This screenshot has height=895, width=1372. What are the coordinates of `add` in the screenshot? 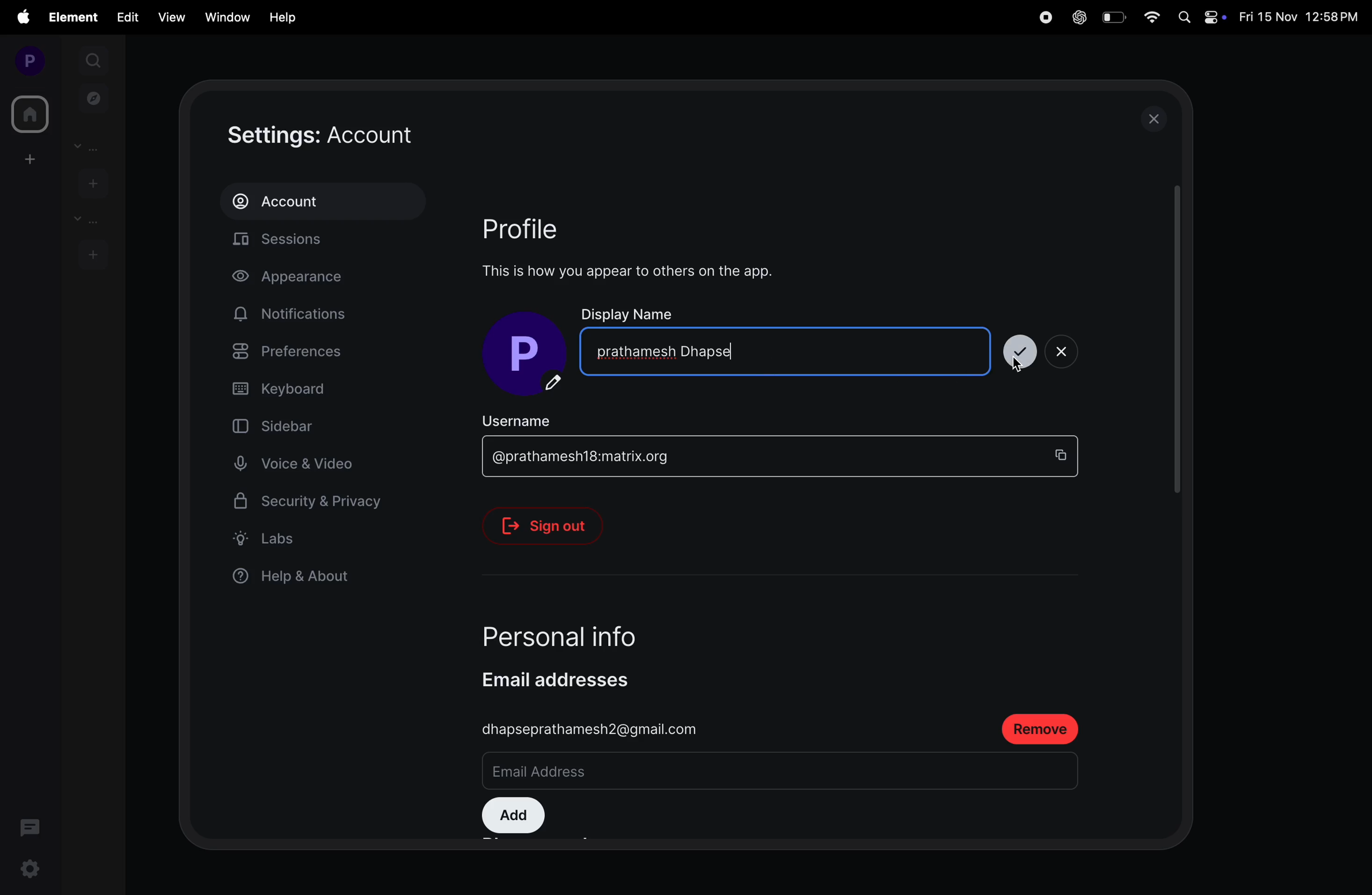 It's located at (513, 817).